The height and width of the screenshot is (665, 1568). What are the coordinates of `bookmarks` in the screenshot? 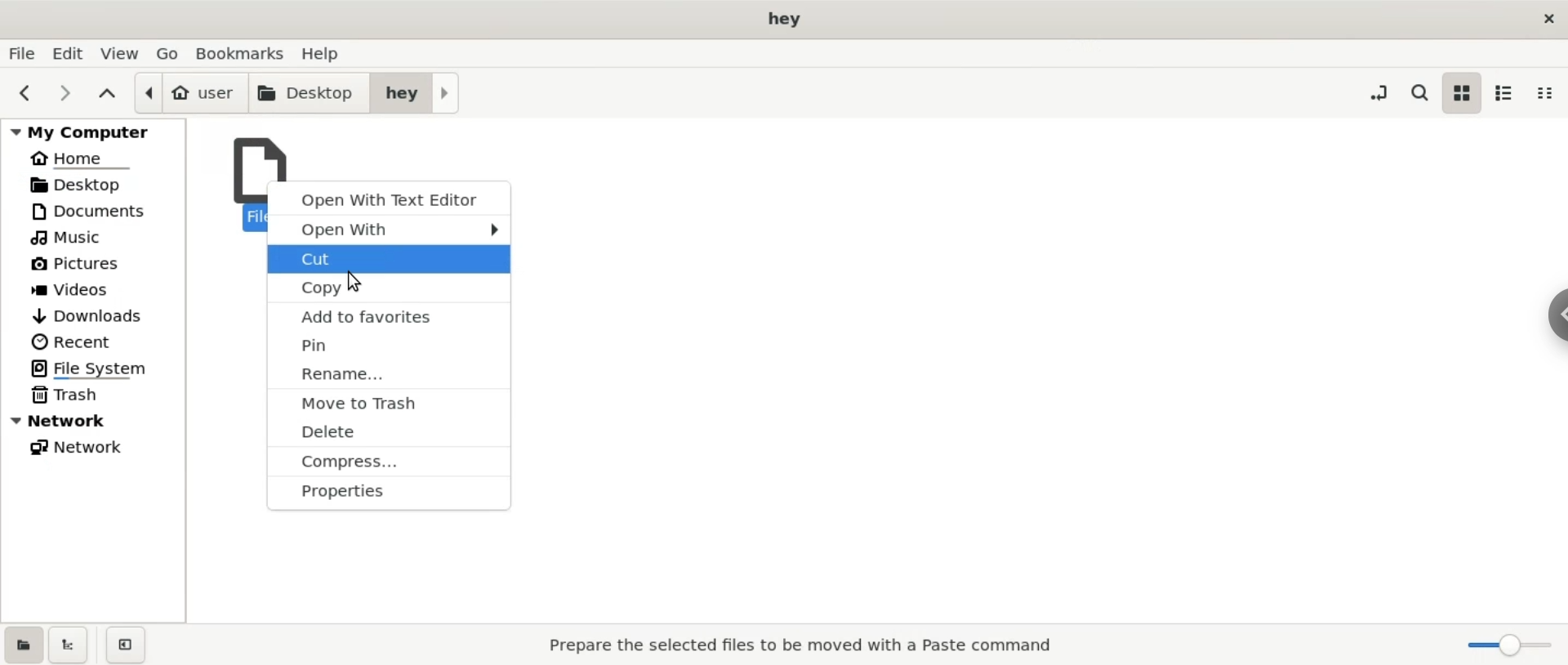 It's located at (240, 53).